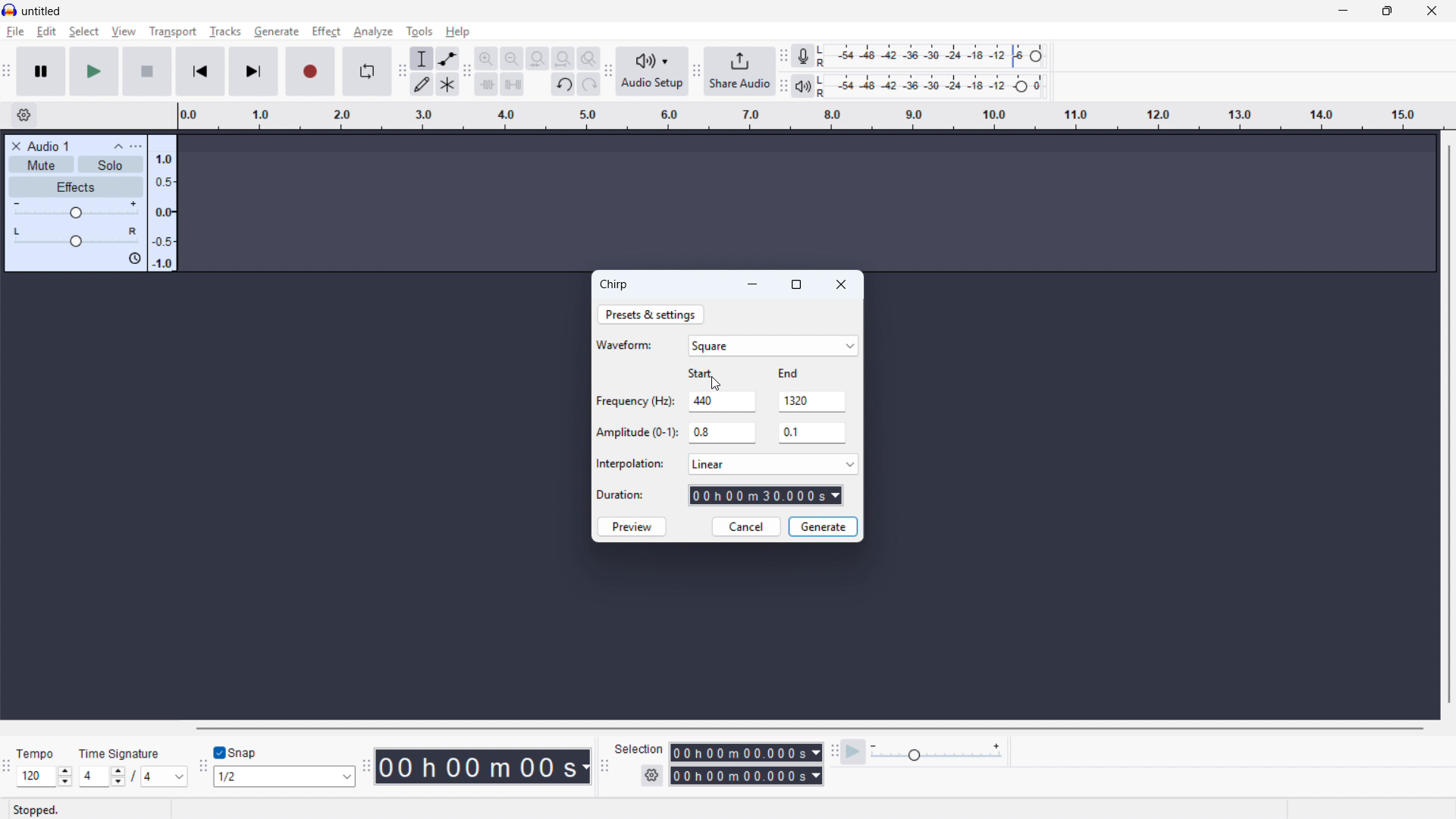  What do you see at coordinates (47, 32) in the screenshot?
I see `Edit ` at bounding box center [47, 32].